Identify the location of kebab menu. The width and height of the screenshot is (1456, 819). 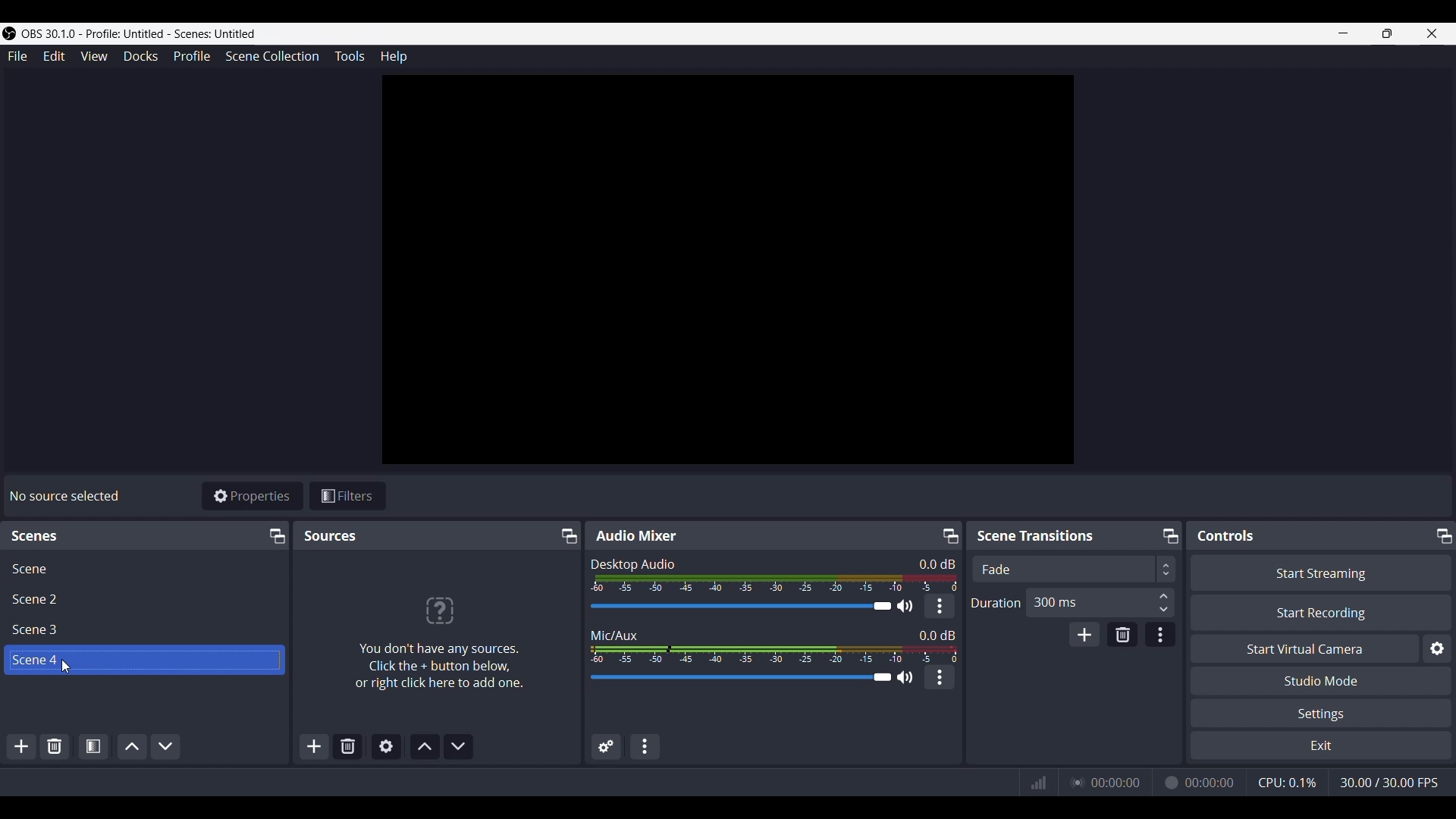
(940, 606).